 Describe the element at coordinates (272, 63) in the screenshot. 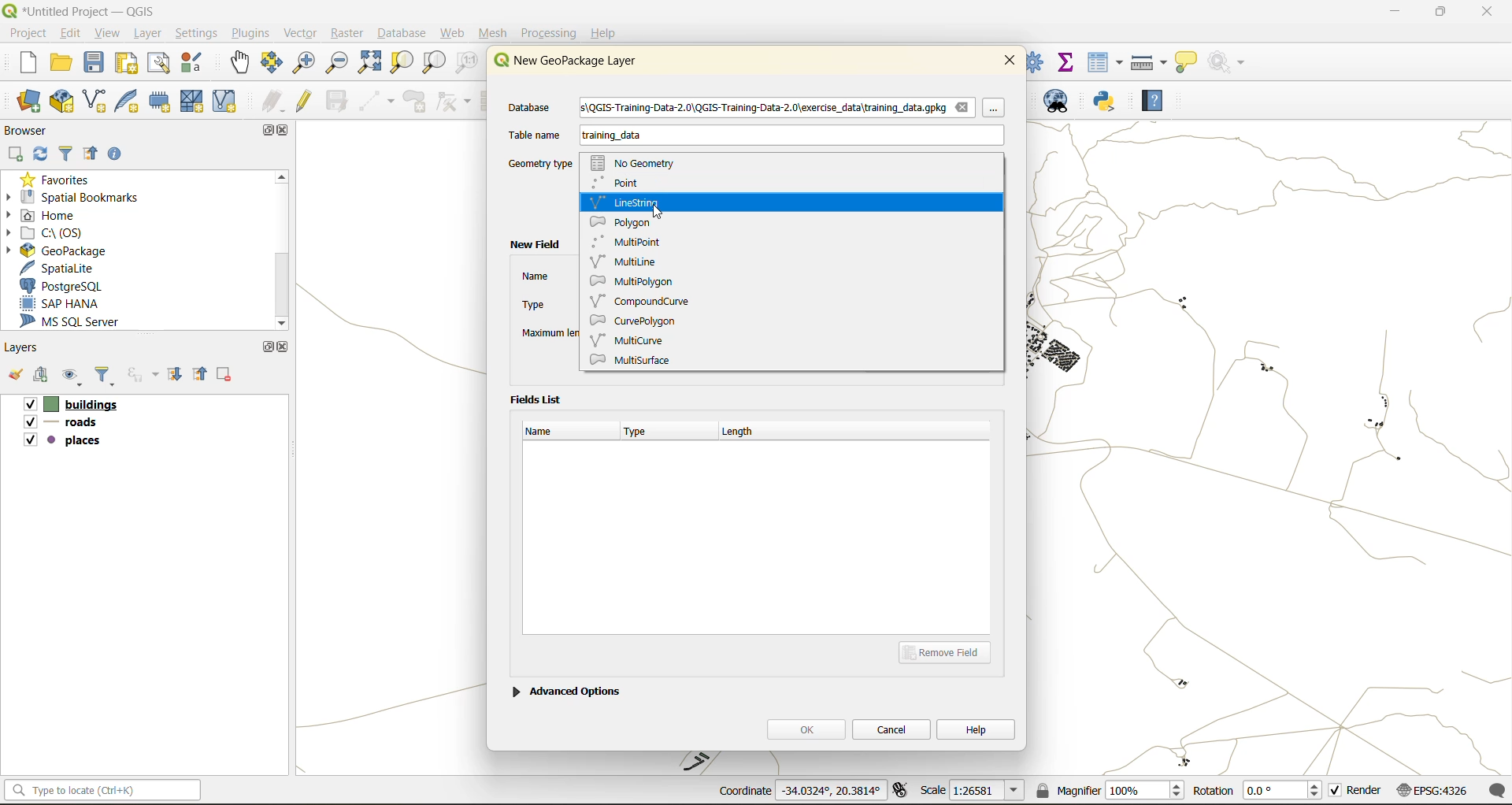

I see `pan selection` at that location.